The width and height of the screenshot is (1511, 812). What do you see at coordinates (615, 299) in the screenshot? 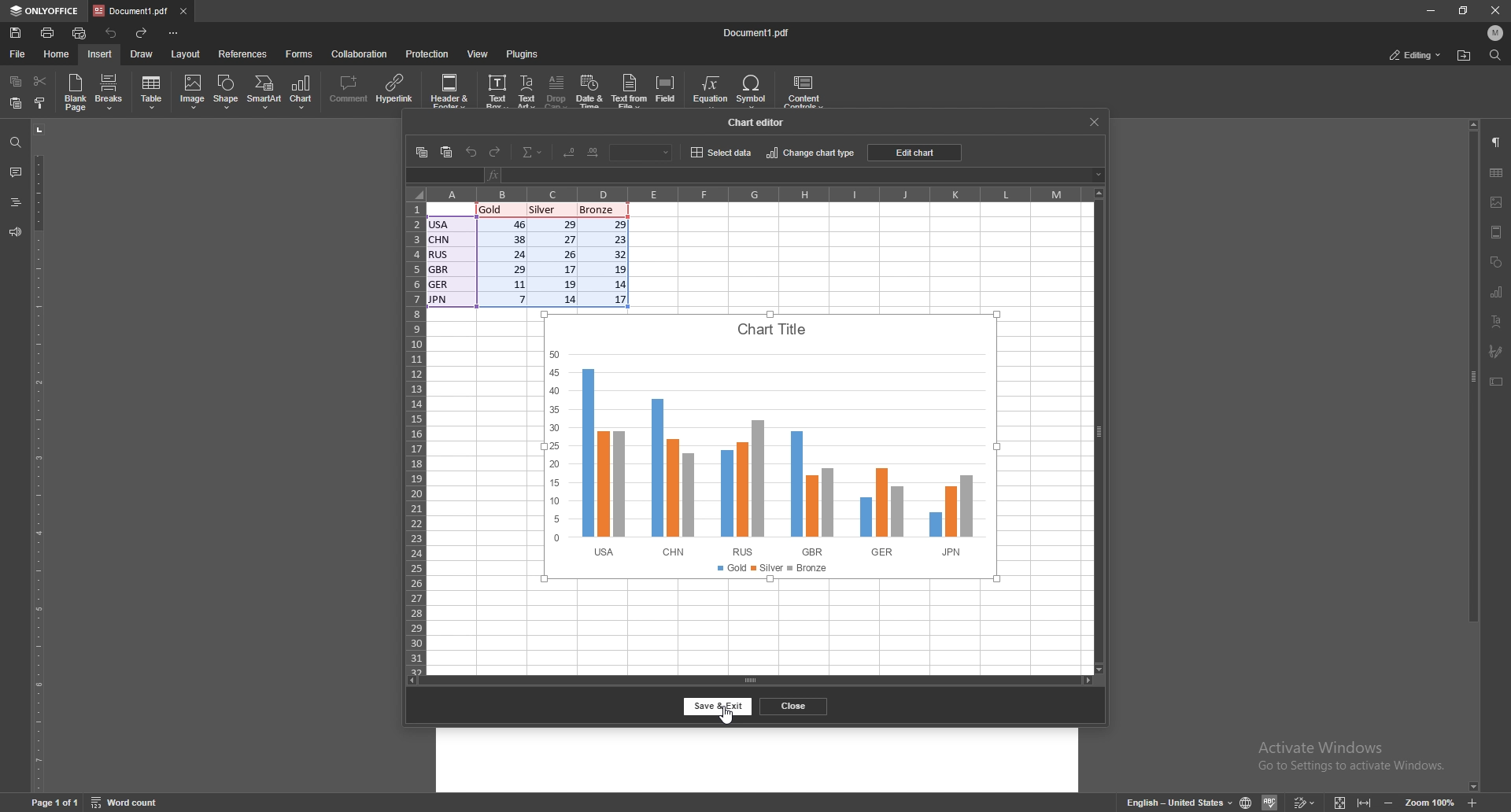
I see `17` at bounding box center [615, 299].